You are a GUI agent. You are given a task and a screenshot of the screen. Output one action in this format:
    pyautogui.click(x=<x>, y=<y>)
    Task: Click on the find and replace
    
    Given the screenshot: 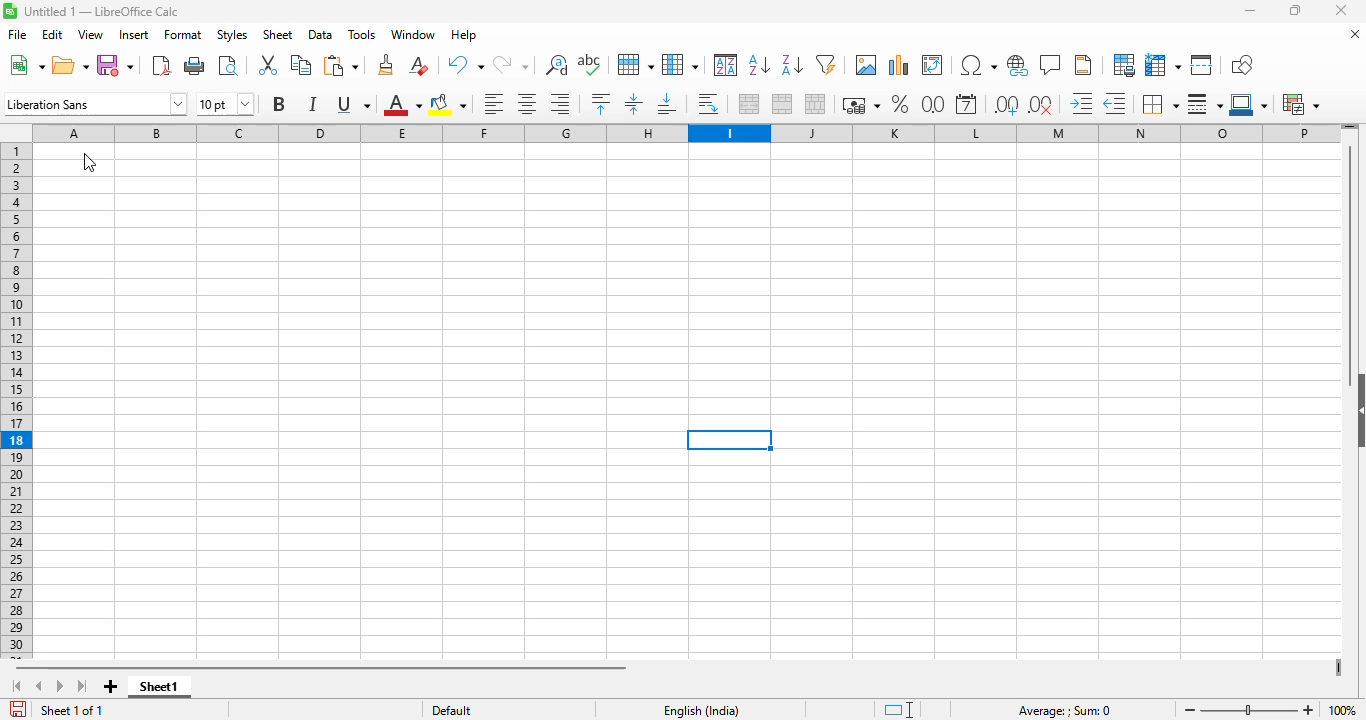 What is the action you would take?
    pyautogui.click(x=557, y=65)
    